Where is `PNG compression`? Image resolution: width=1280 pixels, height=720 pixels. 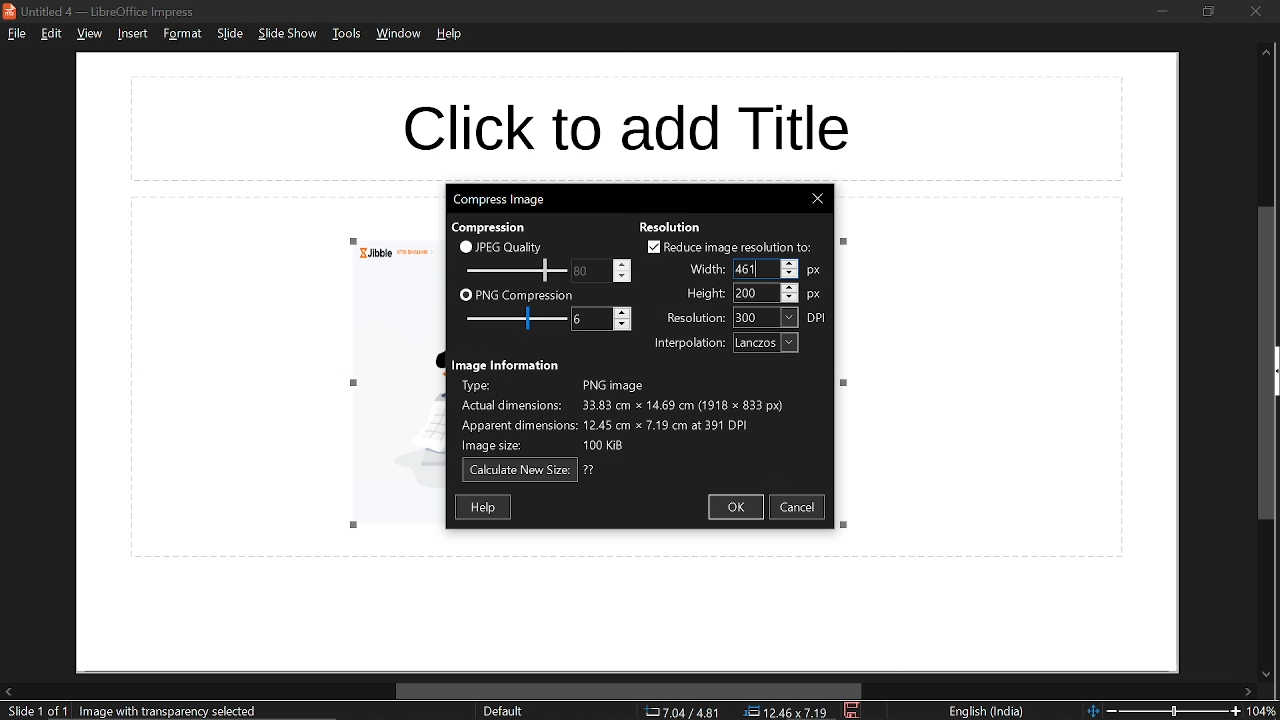 PNG compression is located at coordinates (526, 294).